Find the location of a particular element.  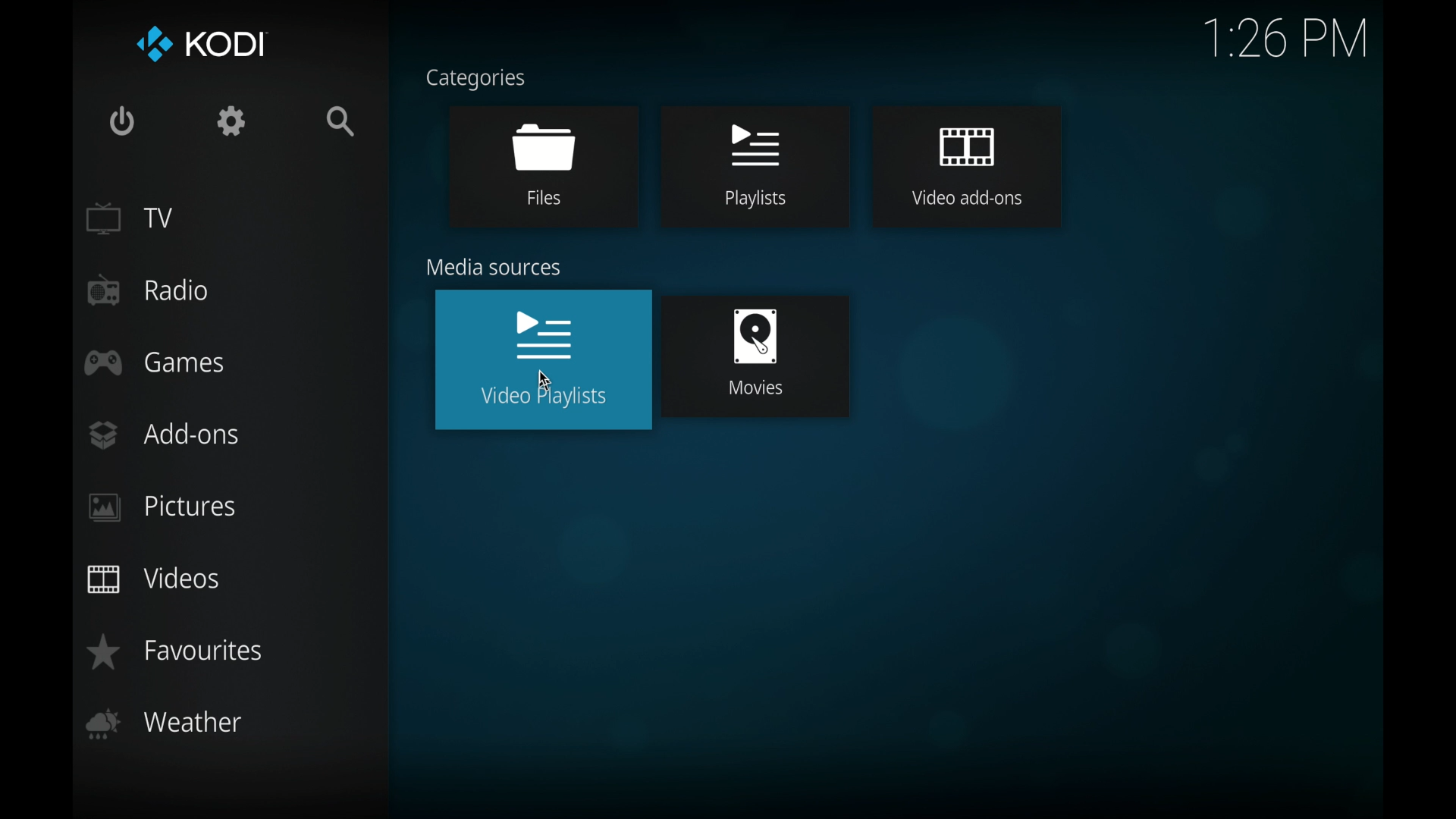

quit kodi is located at coordinates (124, 121).